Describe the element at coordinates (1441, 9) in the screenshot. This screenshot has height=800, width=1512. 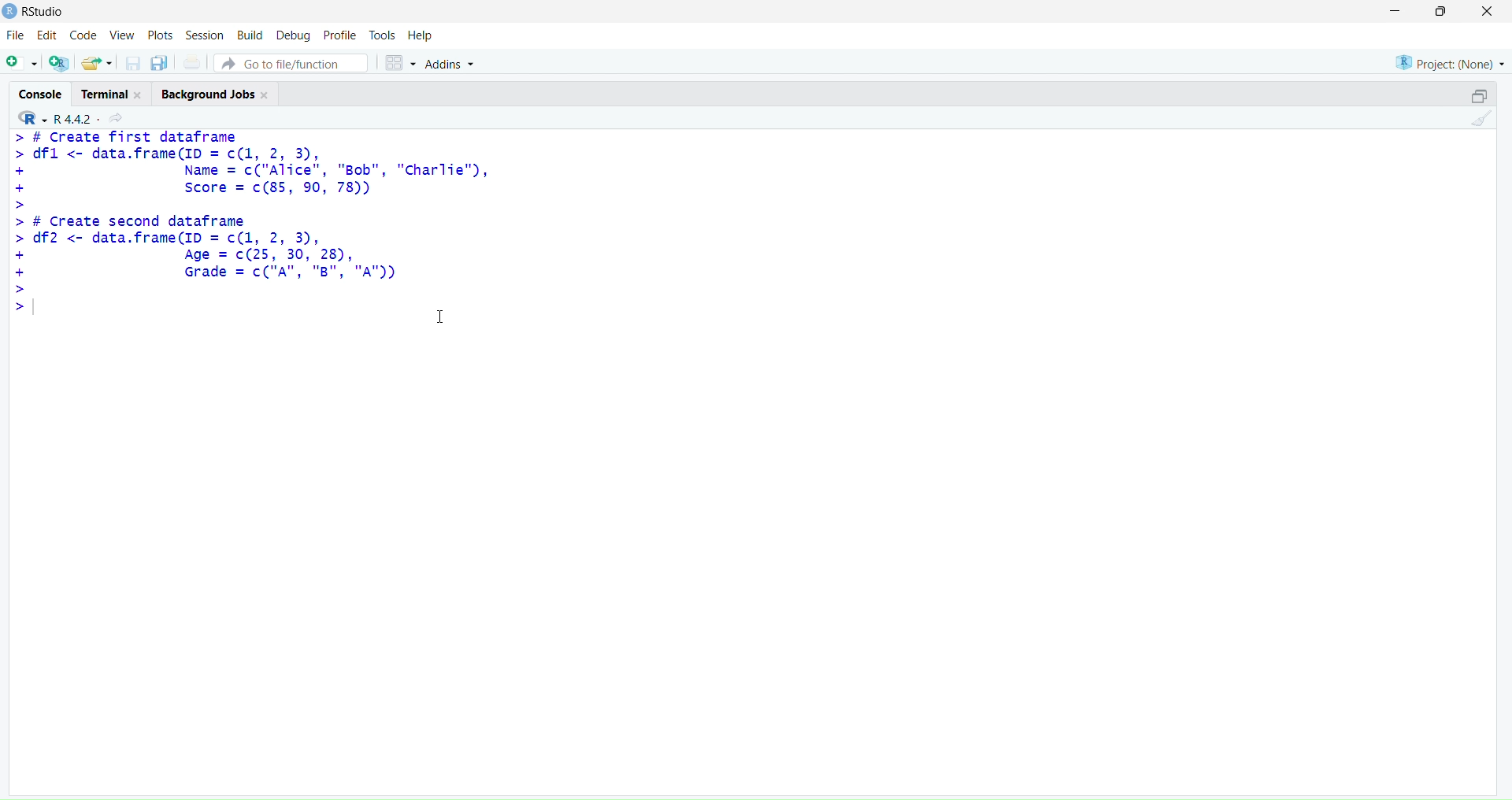
I see `maximize` at that location.